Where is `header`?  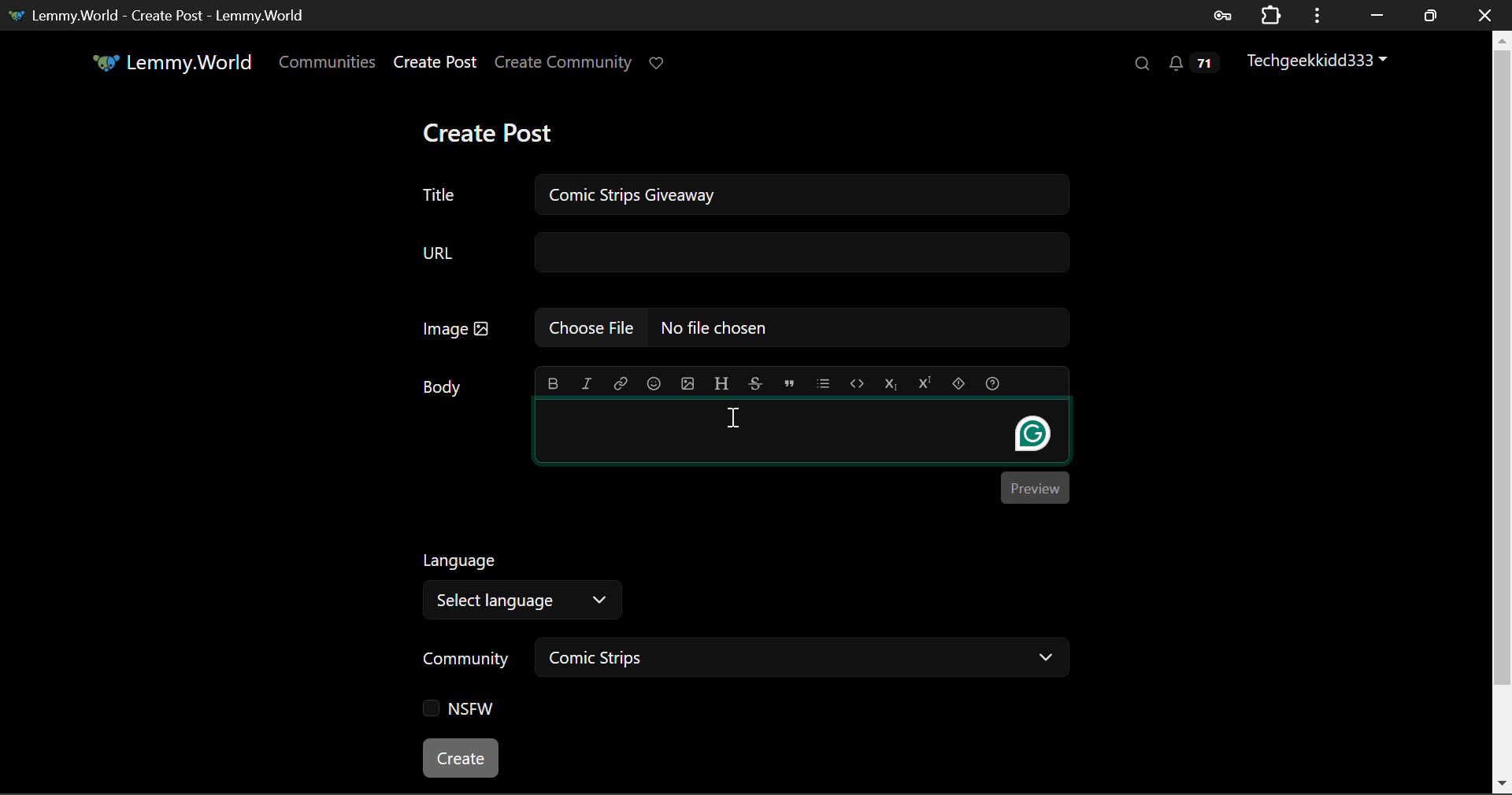
header is located at coordinates (721, 381).